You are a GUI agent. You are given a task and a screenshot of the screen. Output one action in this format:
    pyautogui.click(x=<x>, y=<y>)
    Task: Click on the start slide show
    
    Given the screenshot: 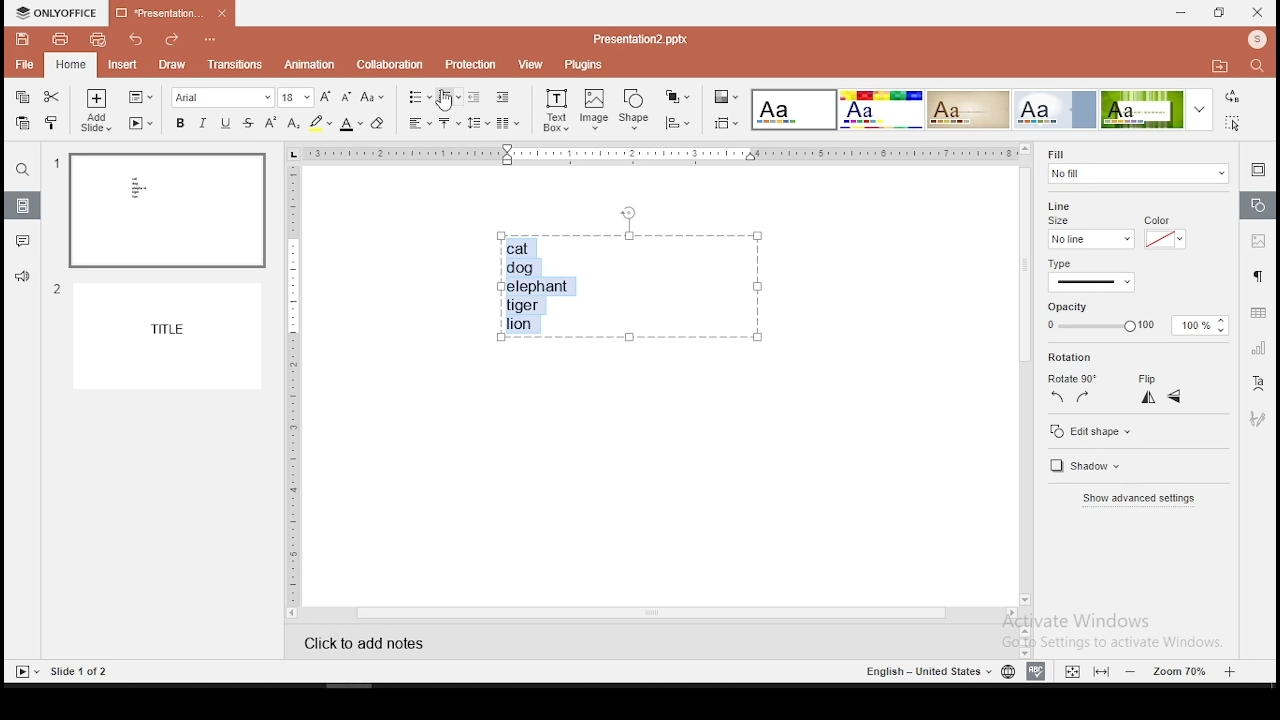 What is the action you would take?
    pyautogui.click(x=24, y=671)
    